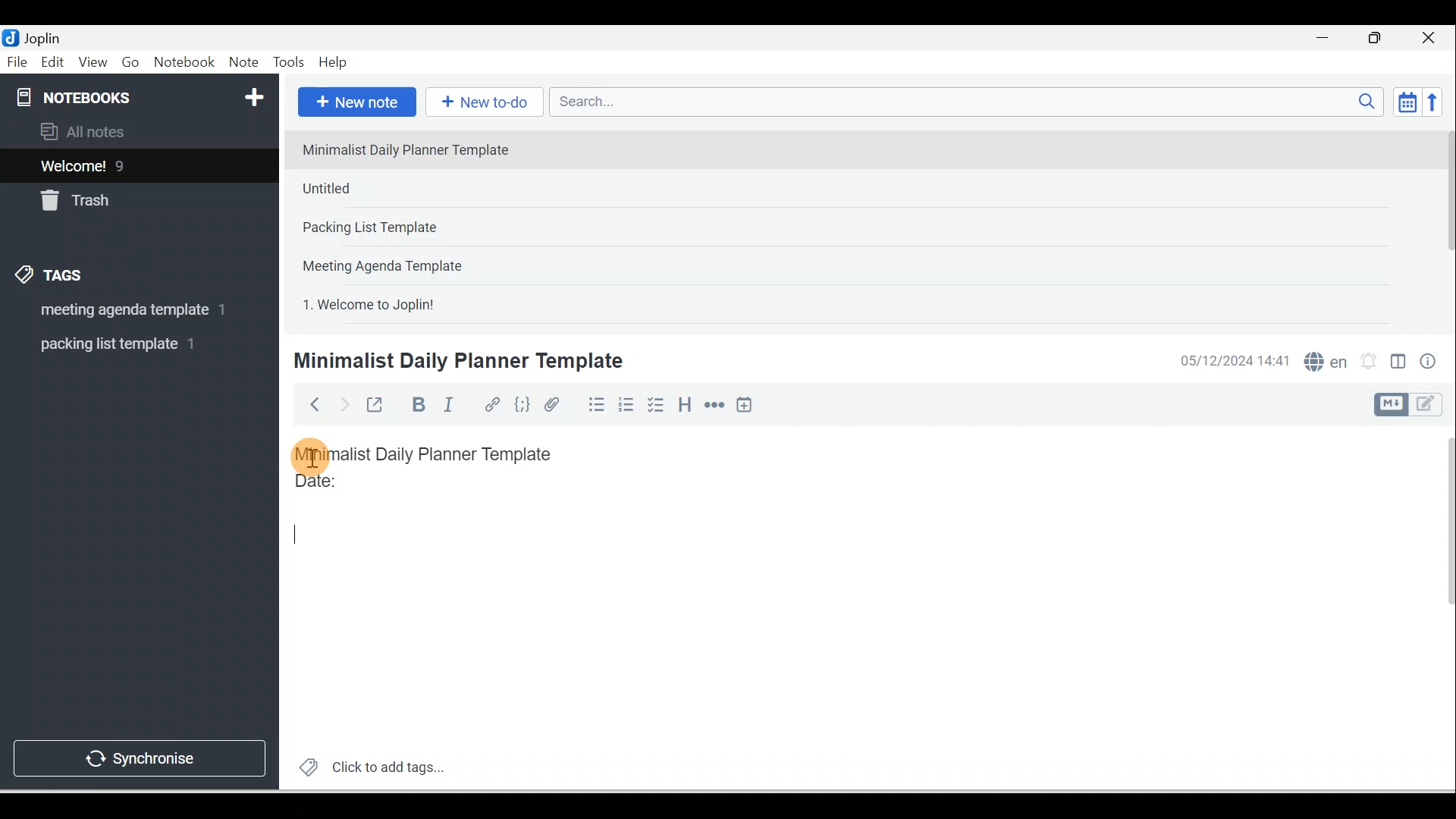 The height and width of the screenshot is (819, 1456). I want to click on File, so click(18, 61).